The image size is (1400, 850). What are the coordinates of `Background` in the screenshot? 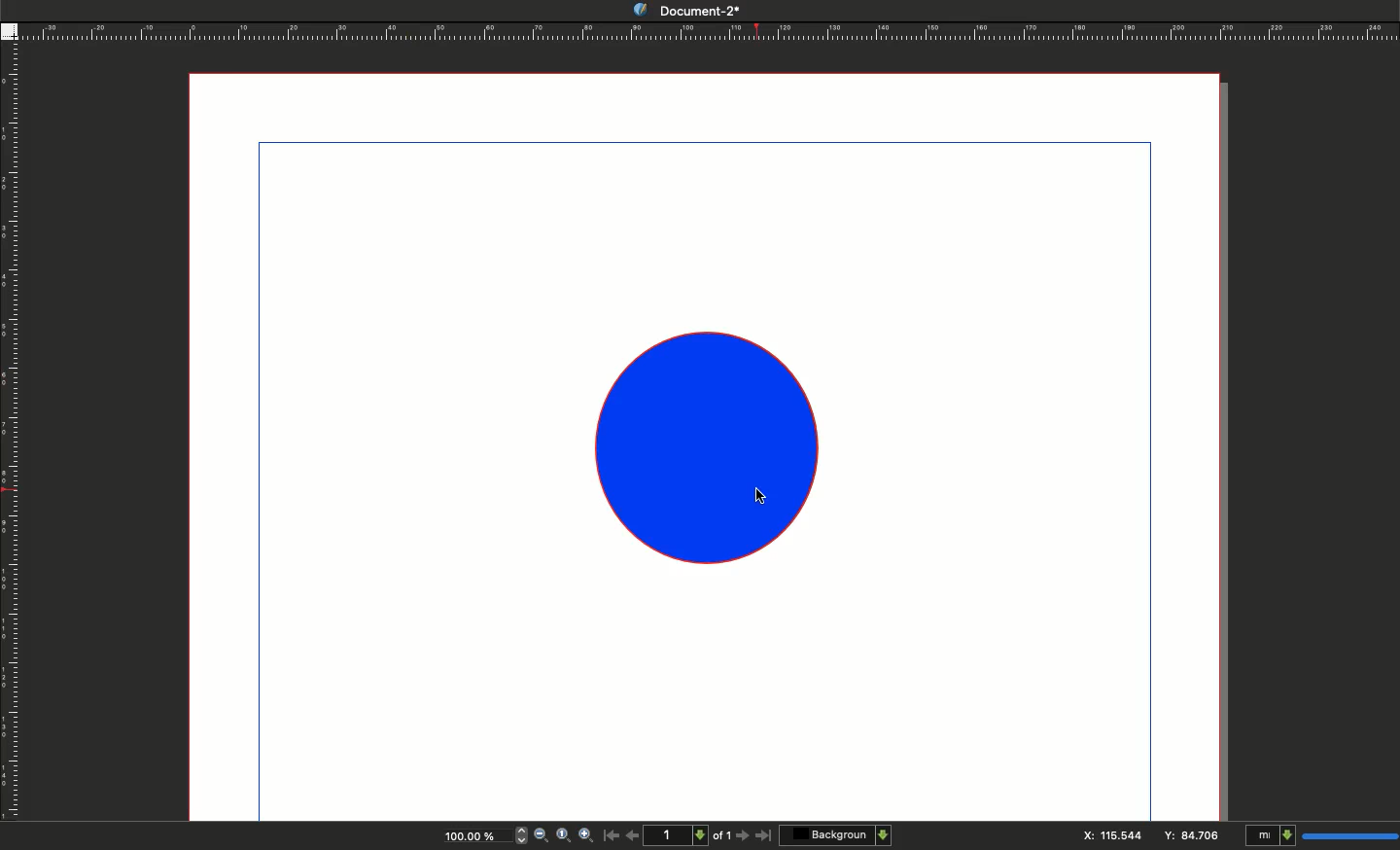 It's located at (837, 834).